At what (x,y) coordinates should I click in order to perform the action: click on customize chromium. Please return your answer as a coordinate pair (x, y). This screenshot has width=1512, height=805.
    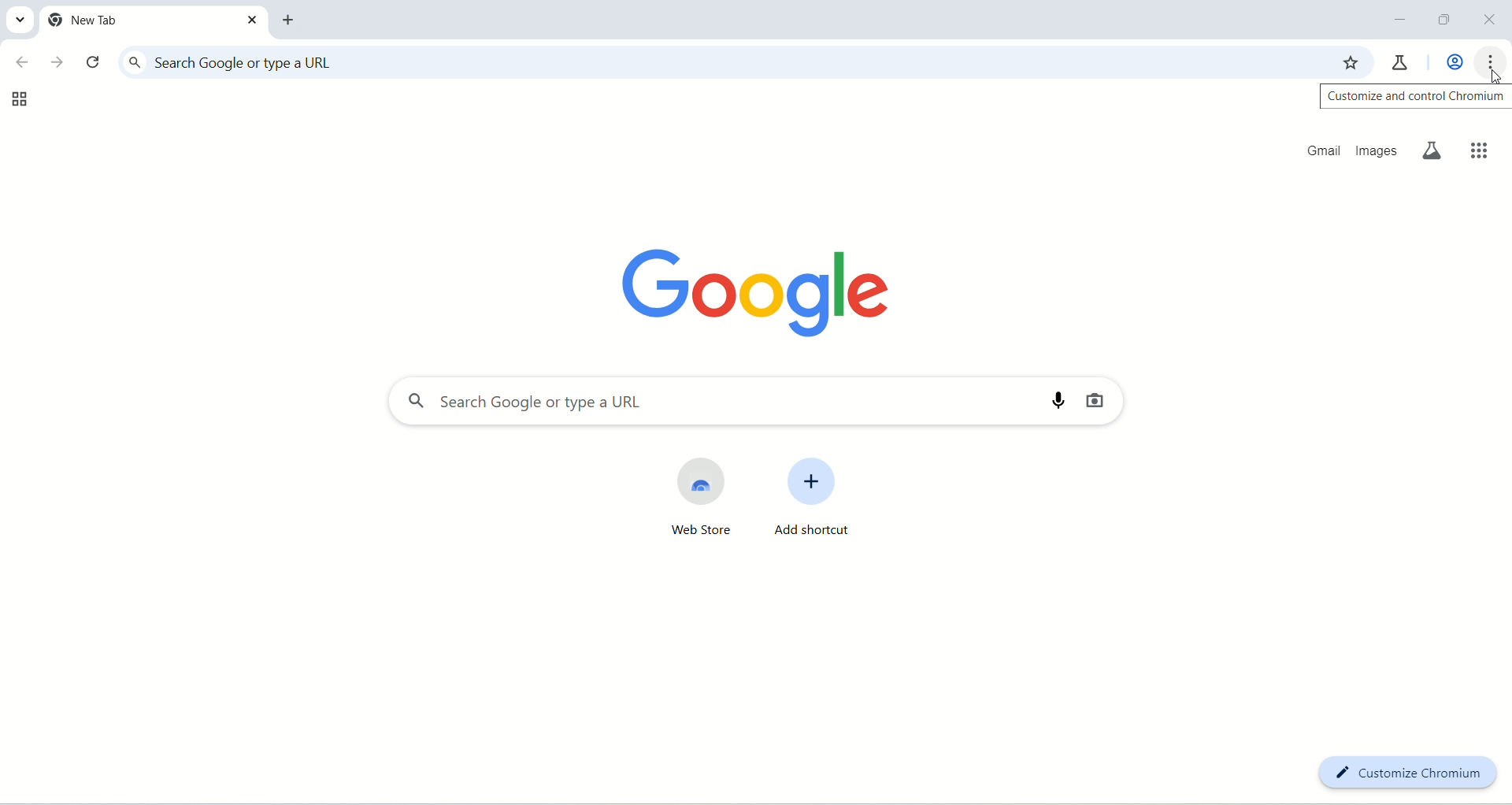
    Looking at the image, I should click on (1408, 770).